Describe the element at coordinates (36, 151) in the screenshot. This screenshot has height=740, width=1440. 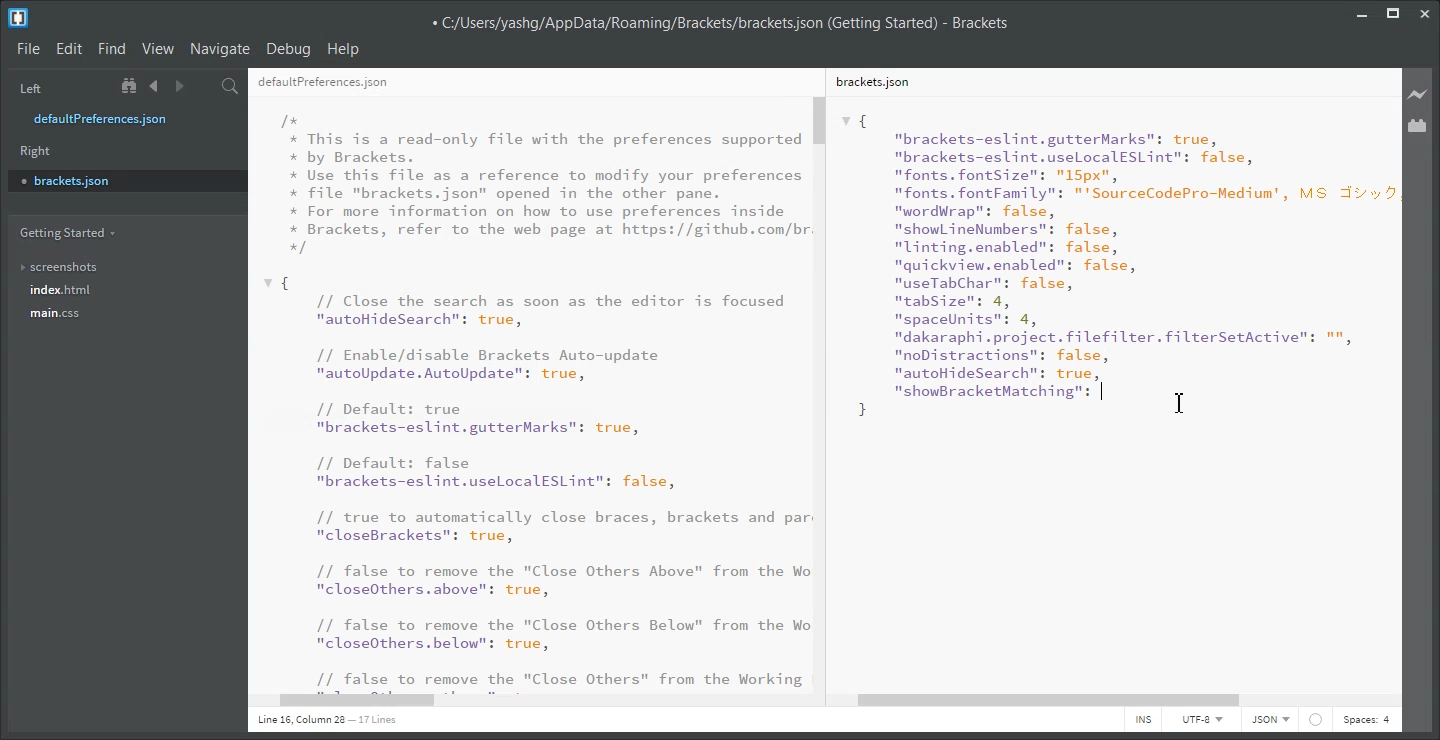
I see `Right` at that location.